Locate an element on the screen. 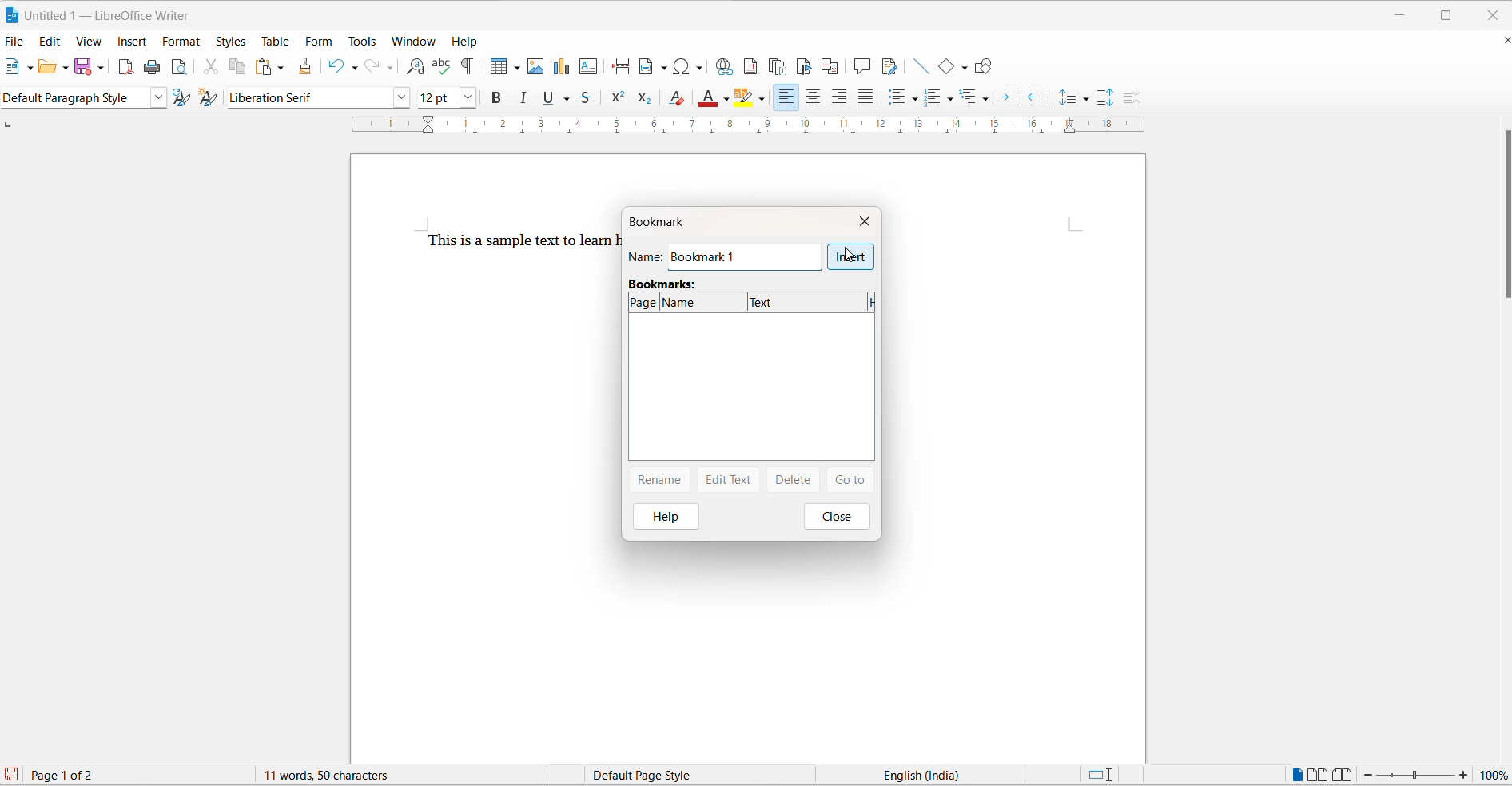 Image resolution: width=1512 pixels, height=786 pixels. outline format options is located at coordinates (987, 99).